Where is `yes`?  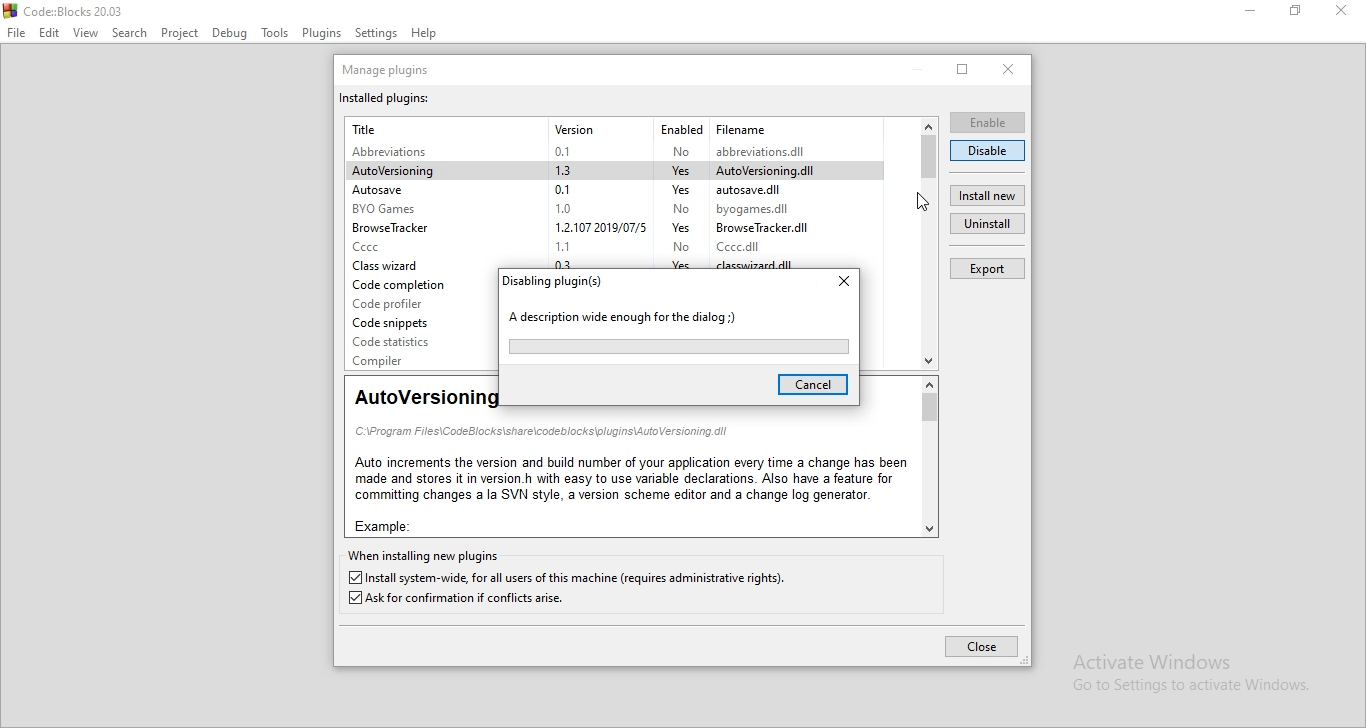 yes is located at coordinates (676, 188).